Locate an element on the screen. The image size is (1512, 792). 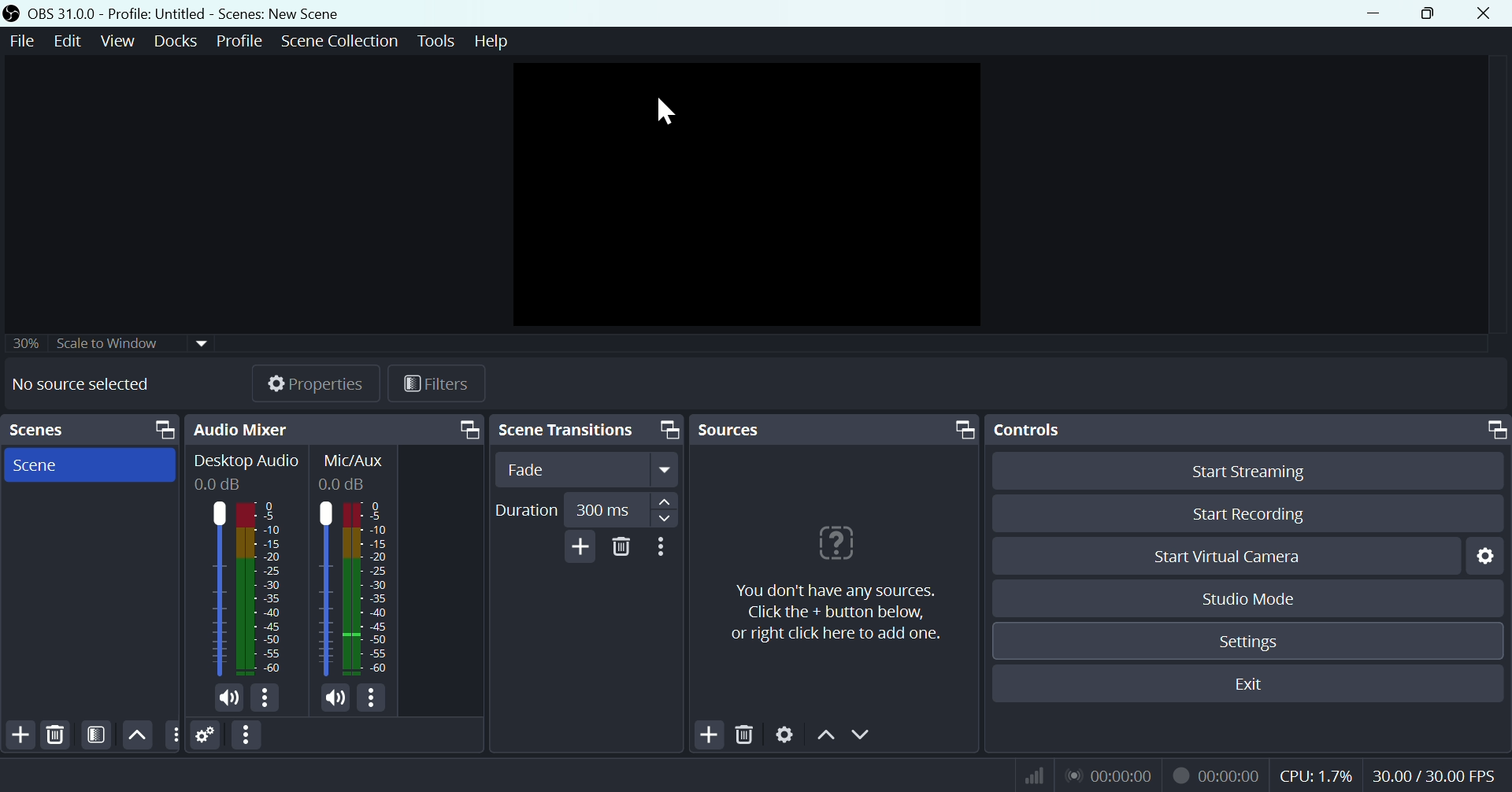
cursor on setting is located at coordinates (1244, 664).